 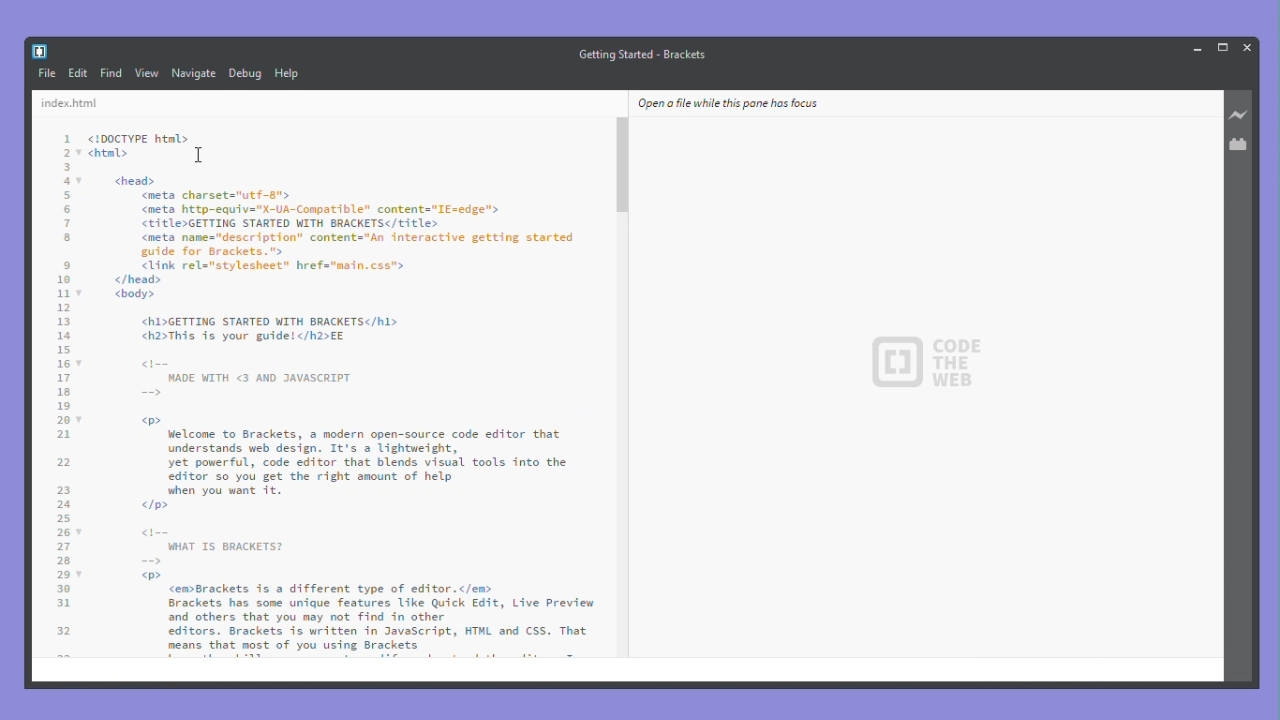 I want to click on 21, so click(x=64, y=435).